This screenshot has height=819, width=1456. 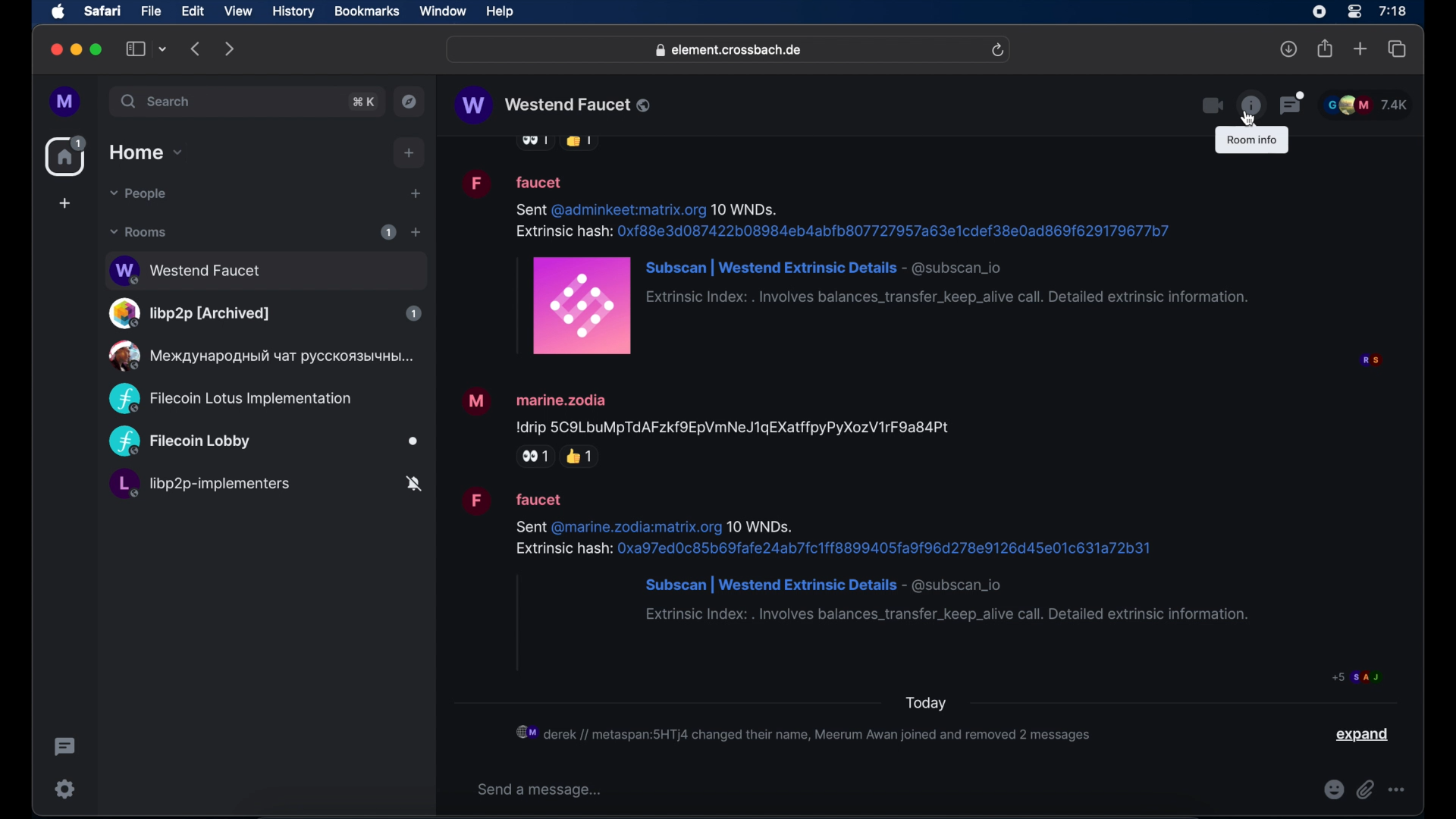 What do you see at coordinates (67, 156) in the screenshot?
I see `home` at bounding box center [67, 156].